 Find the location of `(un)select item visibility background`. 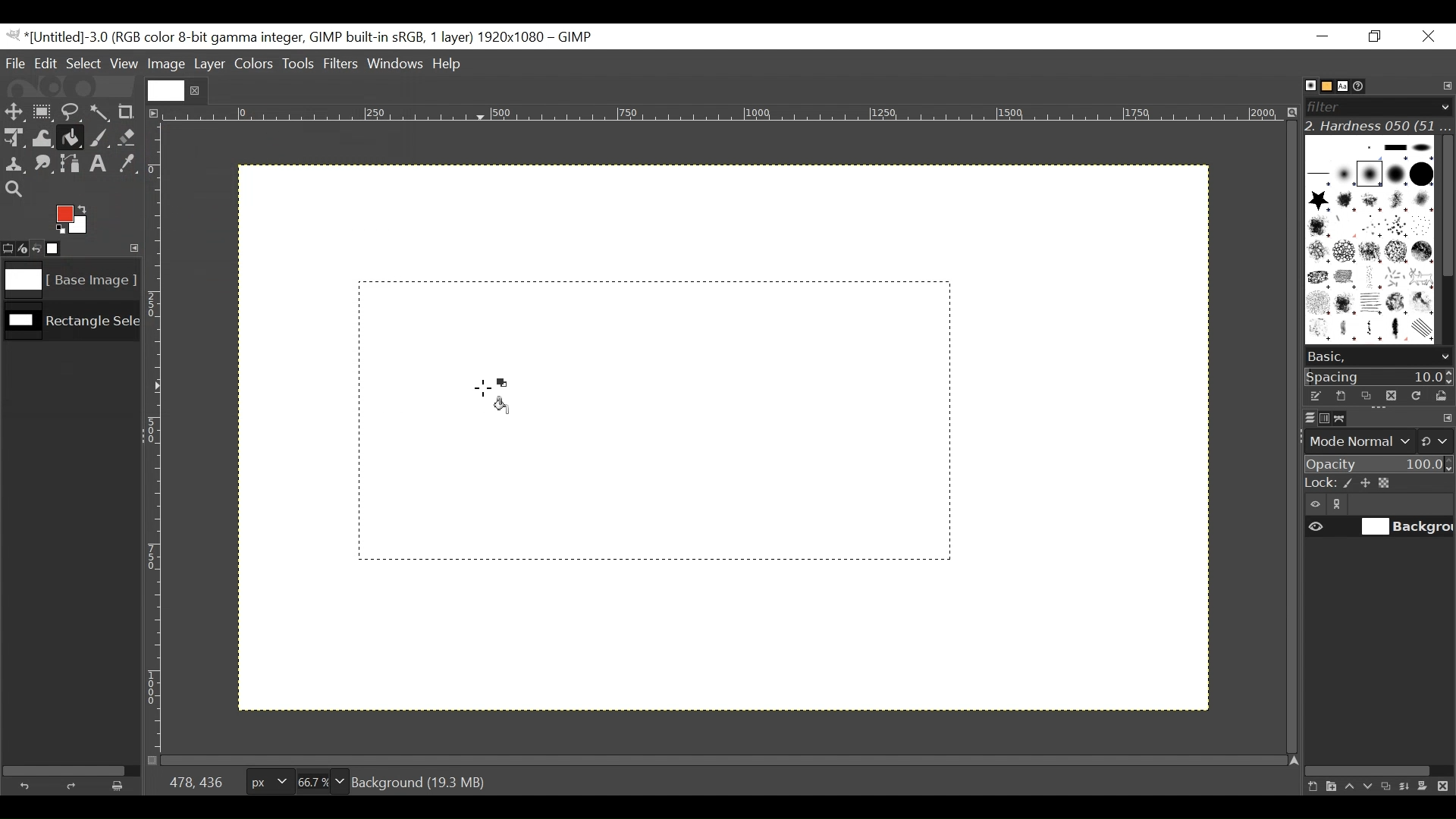

(un)select item visibility background is located at coordinates (1379, 529).